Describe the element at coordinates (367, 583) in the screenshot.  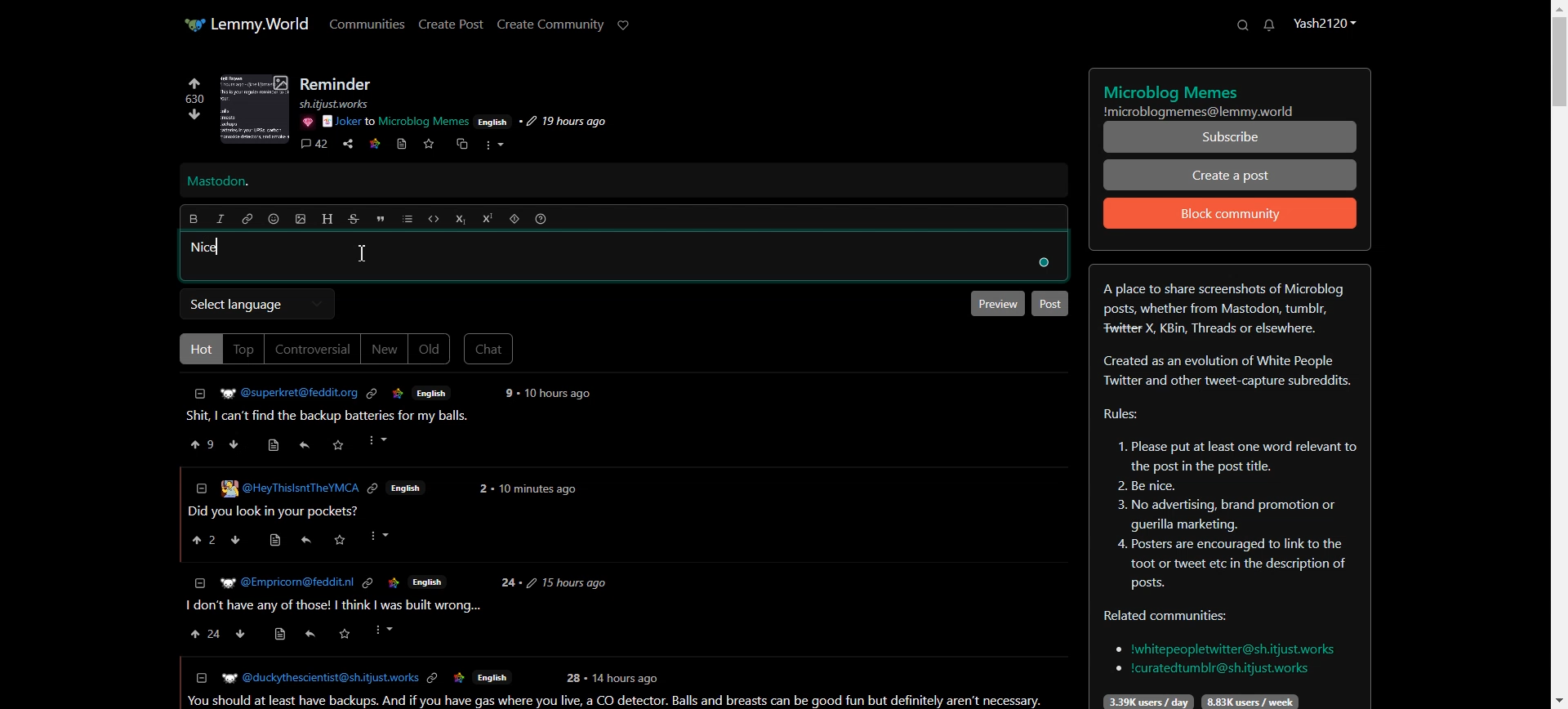
I see `` at that location.